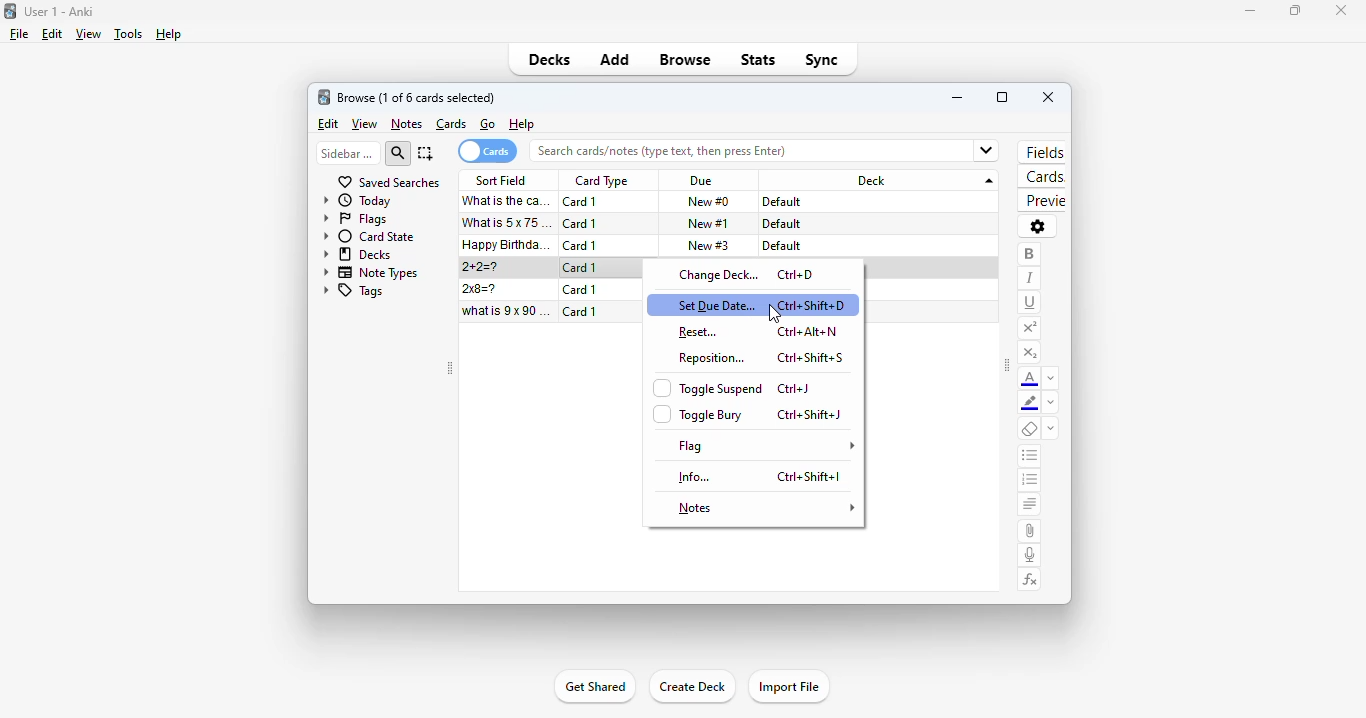  Describe the element at coordinates (701, 182) in the screenshot. I see `due` at that location.